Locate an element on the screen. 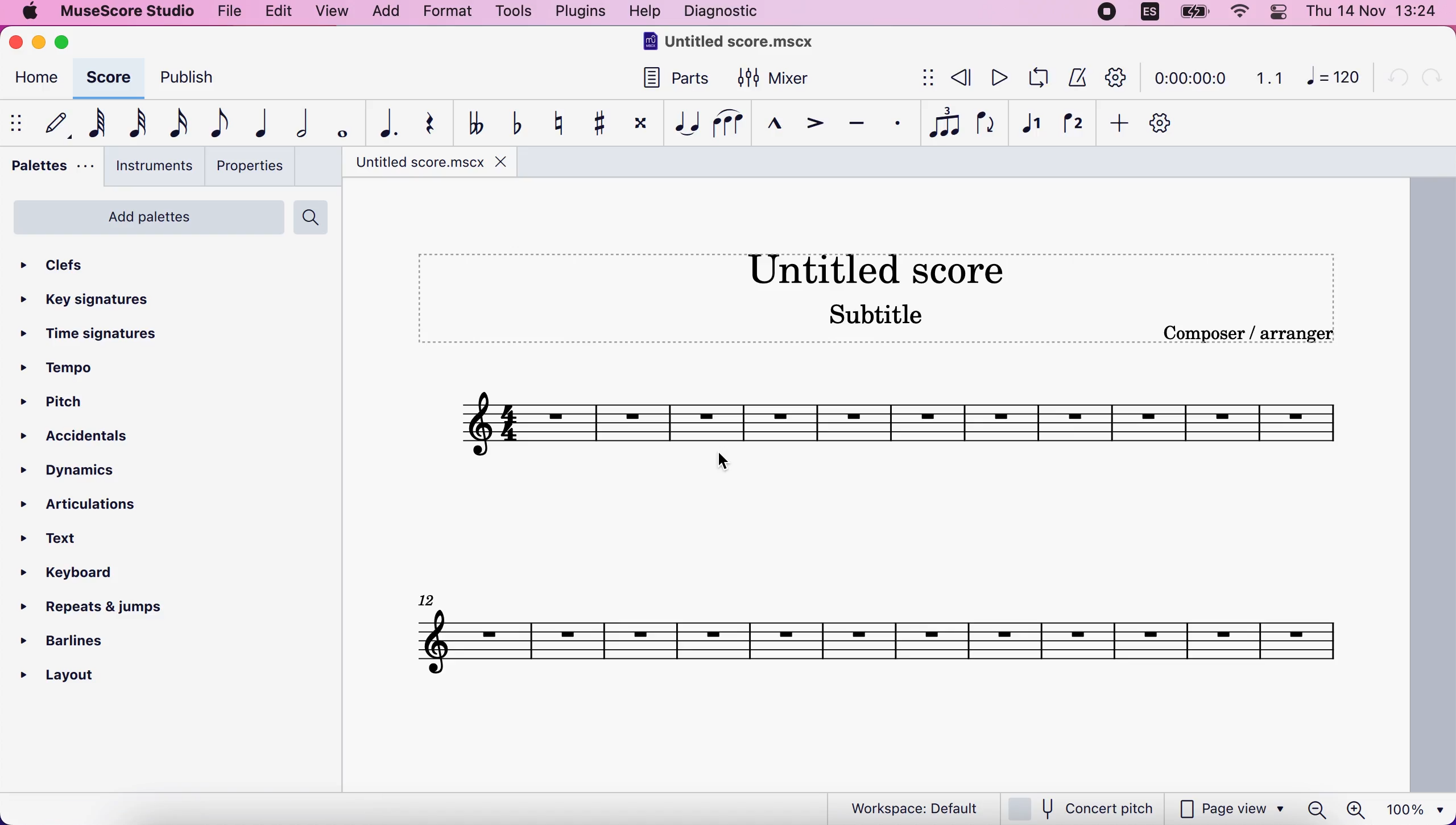 Image resolution: width=1456 pixels, height=825 pixels. toggle natural is located at coordinates (553, 125).